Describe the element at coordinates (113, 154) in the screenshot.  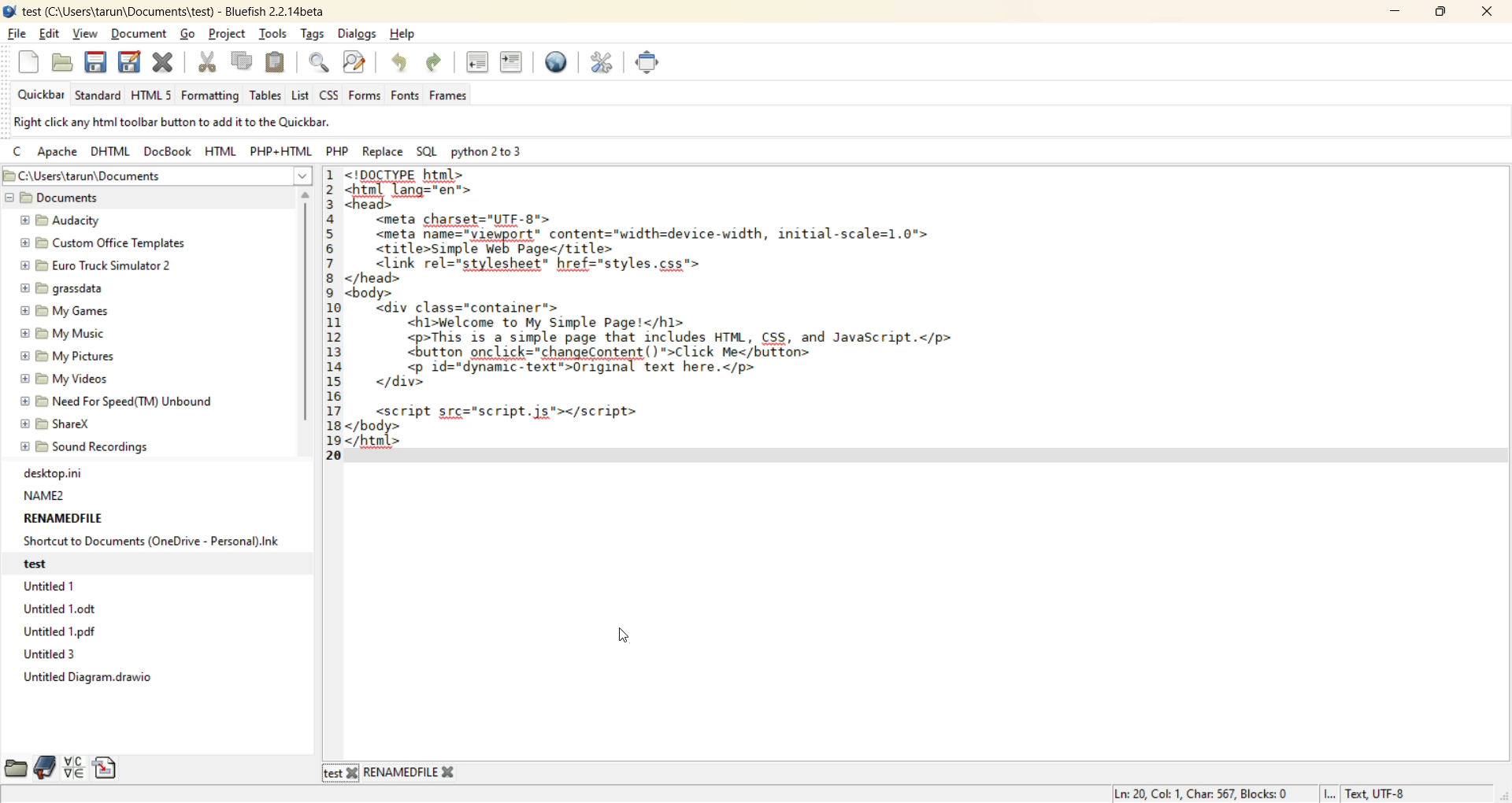
I see `dhtml` at that location.